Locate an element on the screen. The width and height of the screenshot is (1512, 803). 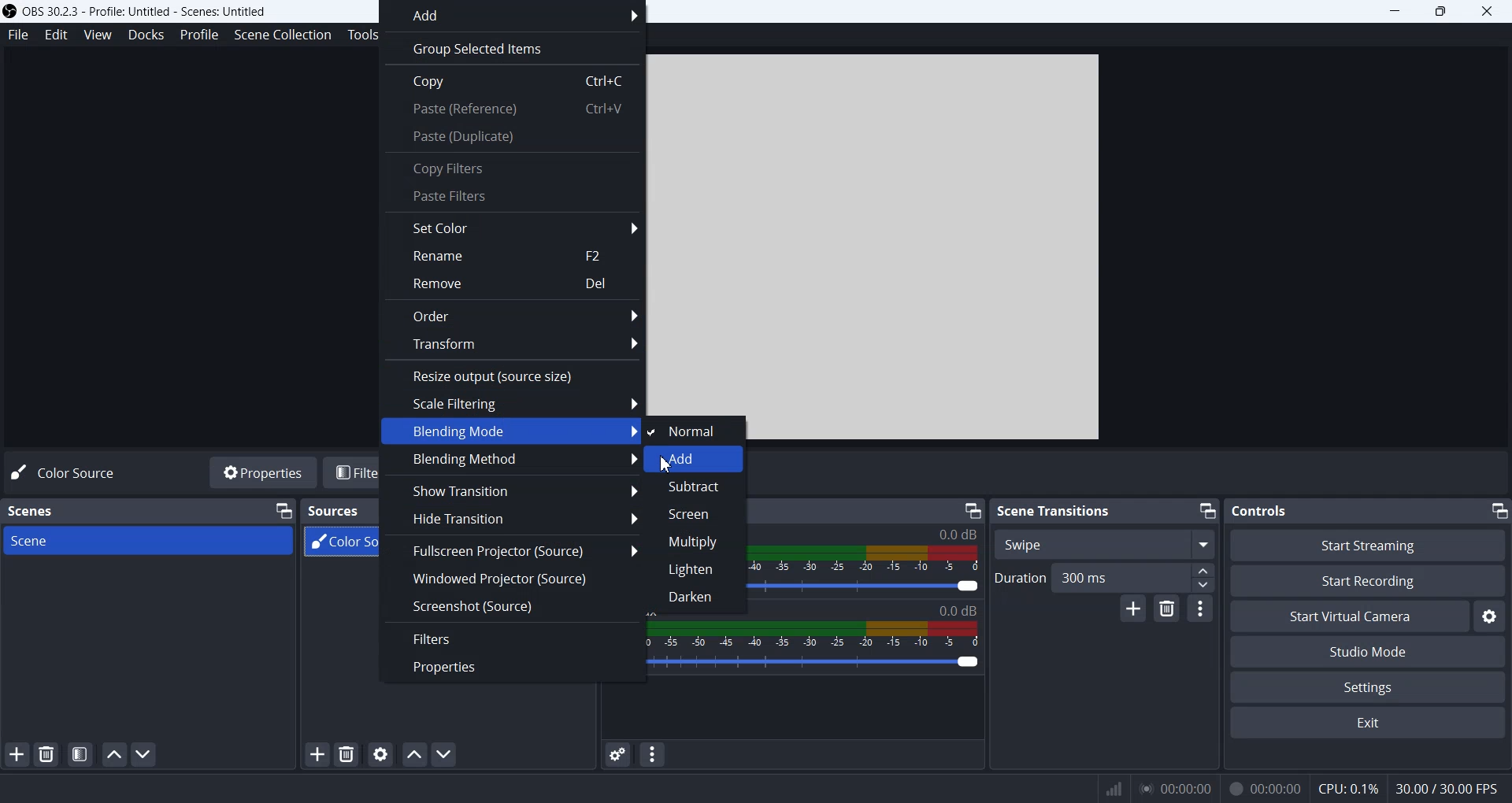
Remove configurable transition is located at coordinates (1166, 609).